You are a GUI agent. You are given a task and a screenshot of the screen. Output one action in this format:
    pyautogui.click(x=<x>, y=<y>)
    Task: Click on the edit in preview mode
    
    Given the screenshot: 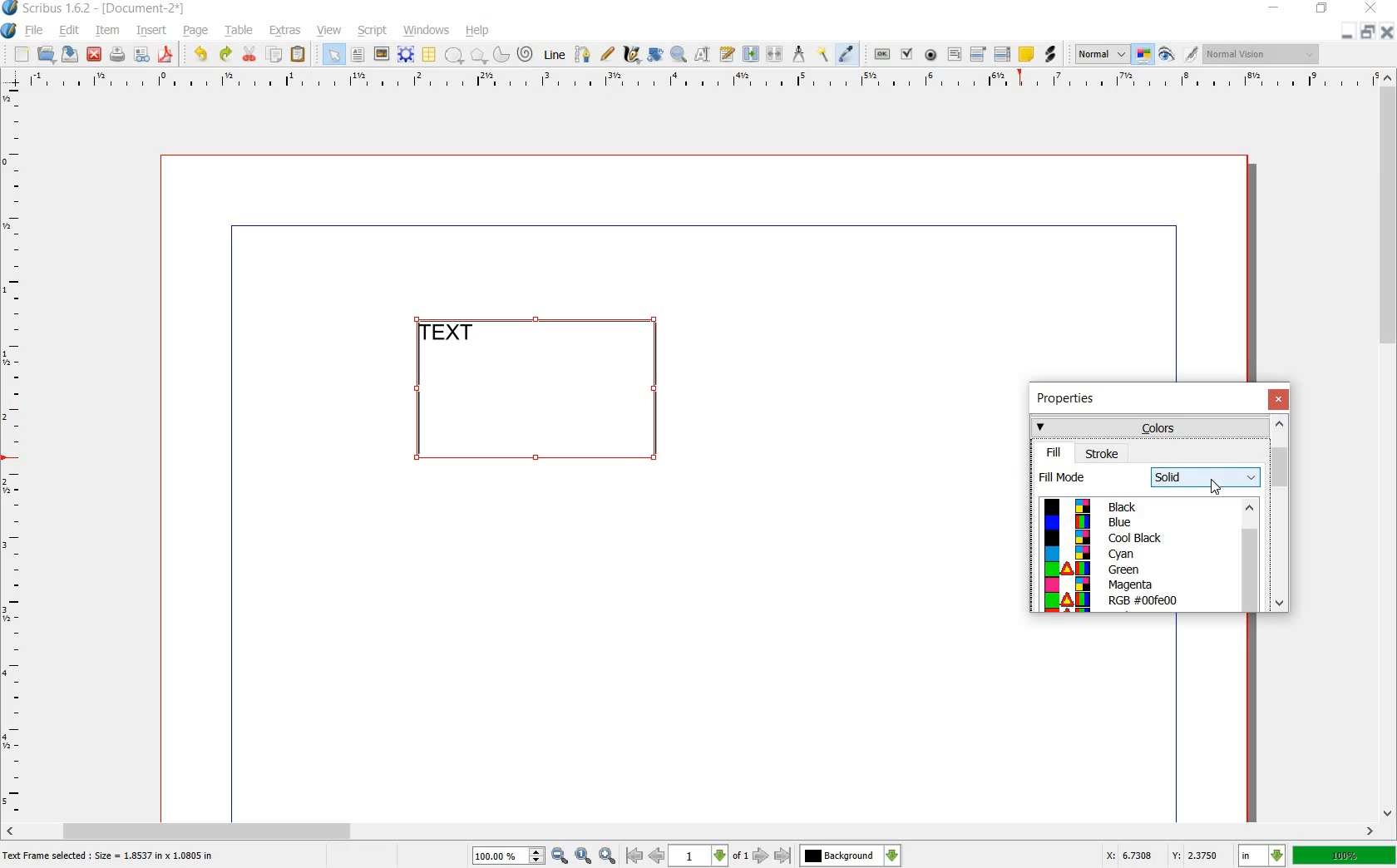 What is the action you would take?
    pyautogui.click(x=1192, y=55)
    